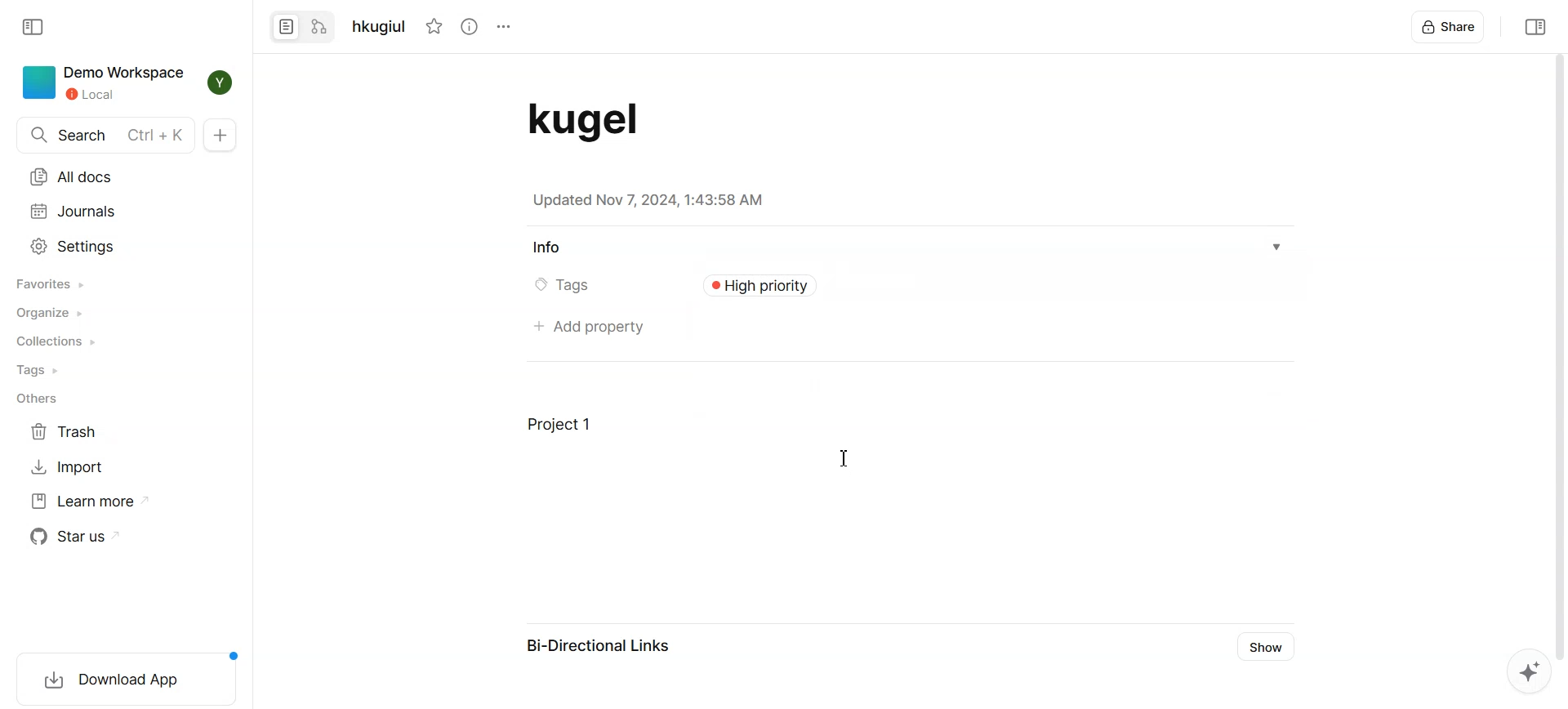 This screenshot has width=1568, height=709. I want to click on Bi-Directional Links, so click(606, 645).